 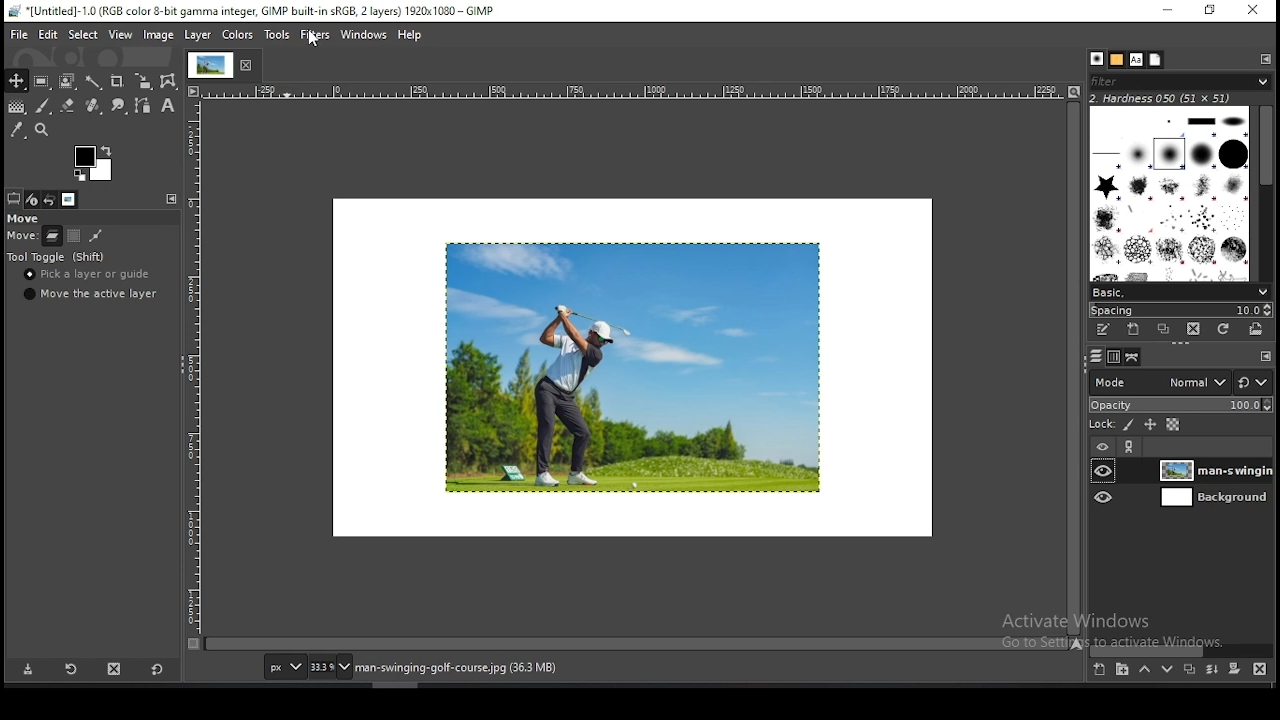 I want to click on crop tool, so click(x=119, y=82).